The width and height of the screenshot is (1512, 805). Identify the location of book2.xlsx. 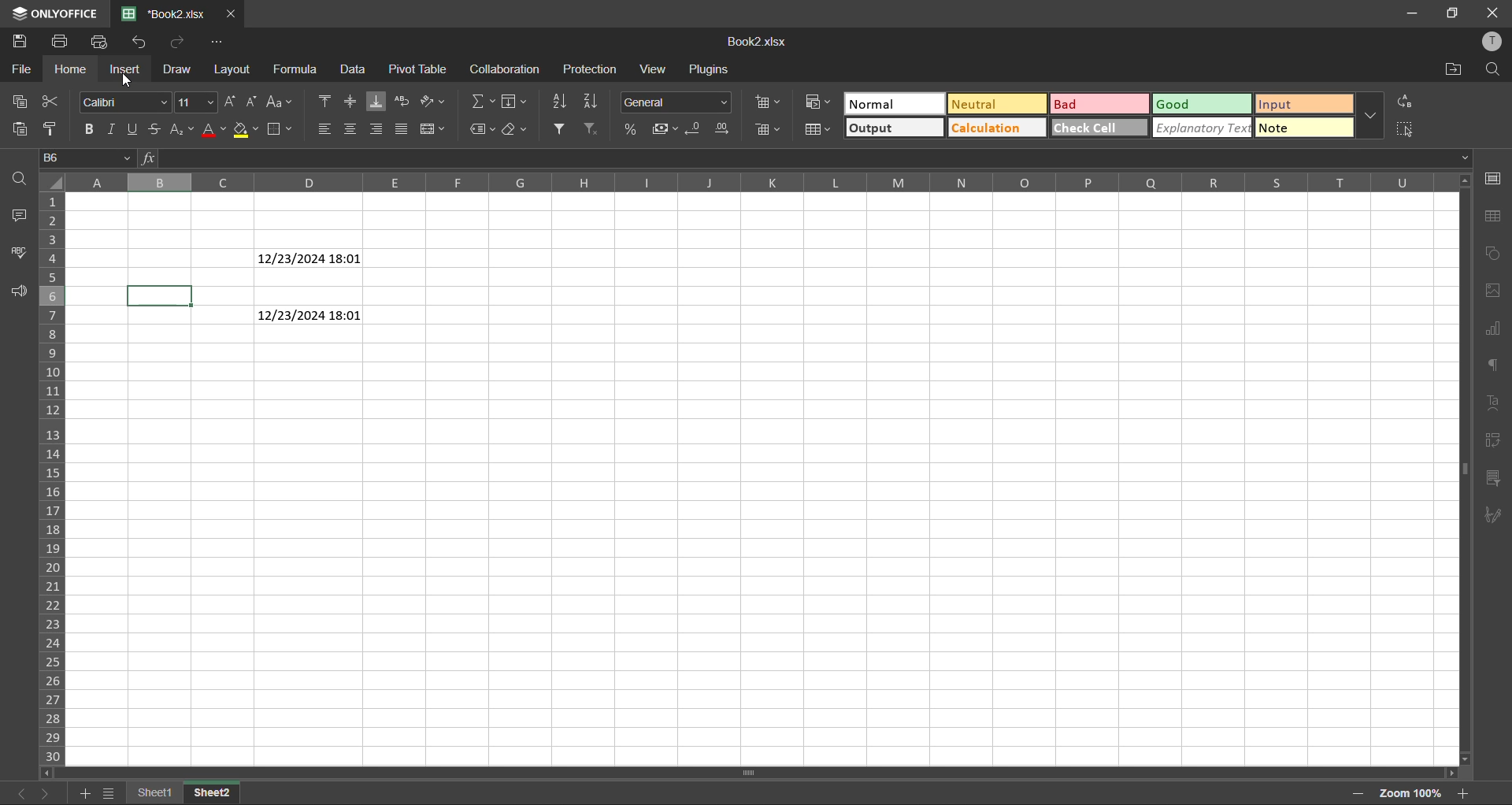
(162, 15).